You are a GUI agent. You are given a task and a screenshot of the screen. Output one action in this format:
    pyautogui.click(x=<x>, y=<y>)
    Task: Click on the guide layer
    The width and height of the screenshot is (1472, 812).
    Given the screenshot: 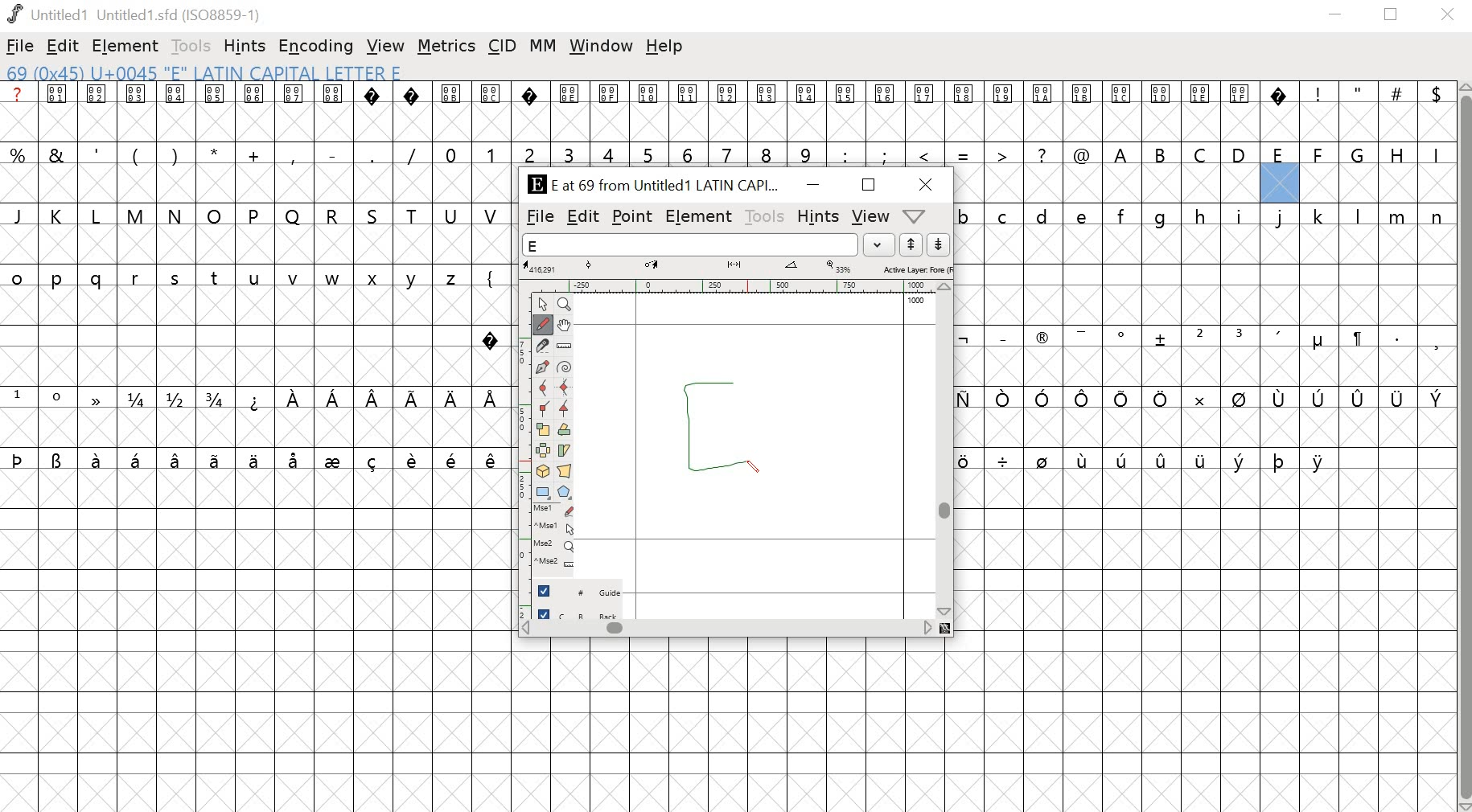 What is the action you would take?
    pyautogui.click(x=578, y=594)
    